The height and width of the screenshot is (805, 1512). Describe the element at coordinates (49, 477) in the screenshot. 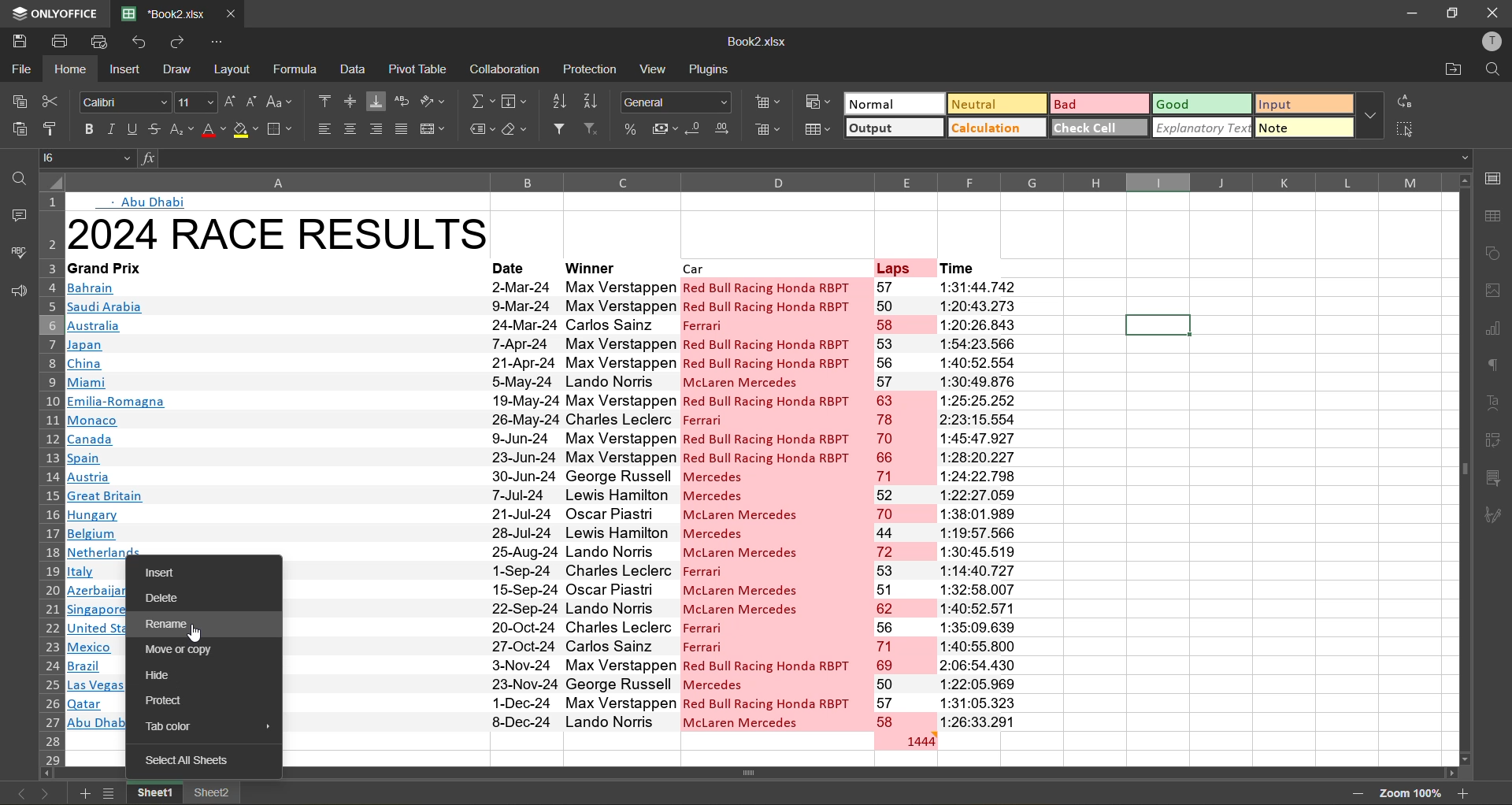

I see `row numbers` at that location.